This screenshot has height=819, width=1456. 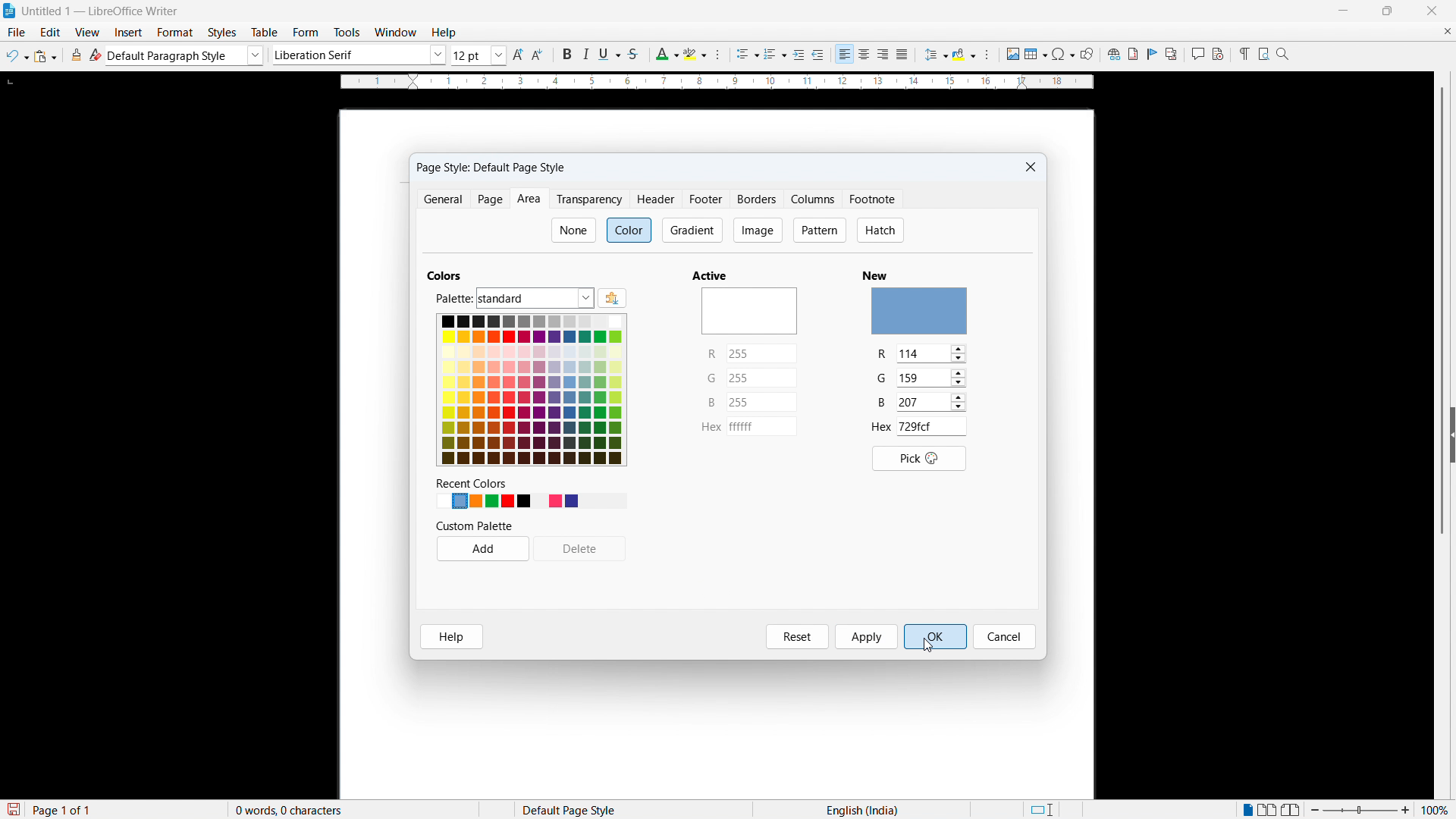 What do you see at coordinates (468, 482) in the screenshot?
I see `recent colors` at bounding box center [468, 482].